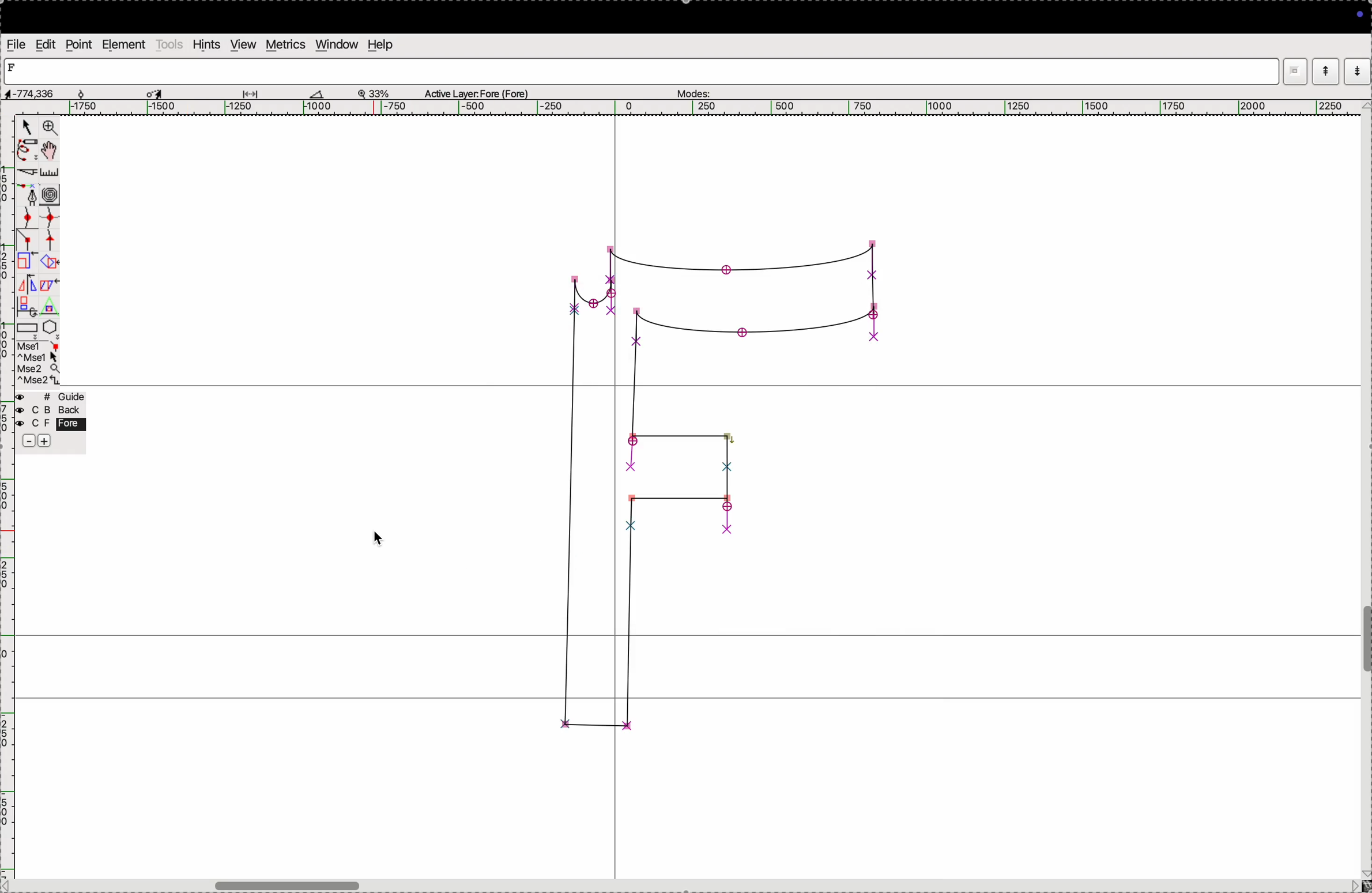 This screenshot has width=1372, height=893. Describe the element at coordinates (14, 67) in the screenshot. I see `letter F` at that location.